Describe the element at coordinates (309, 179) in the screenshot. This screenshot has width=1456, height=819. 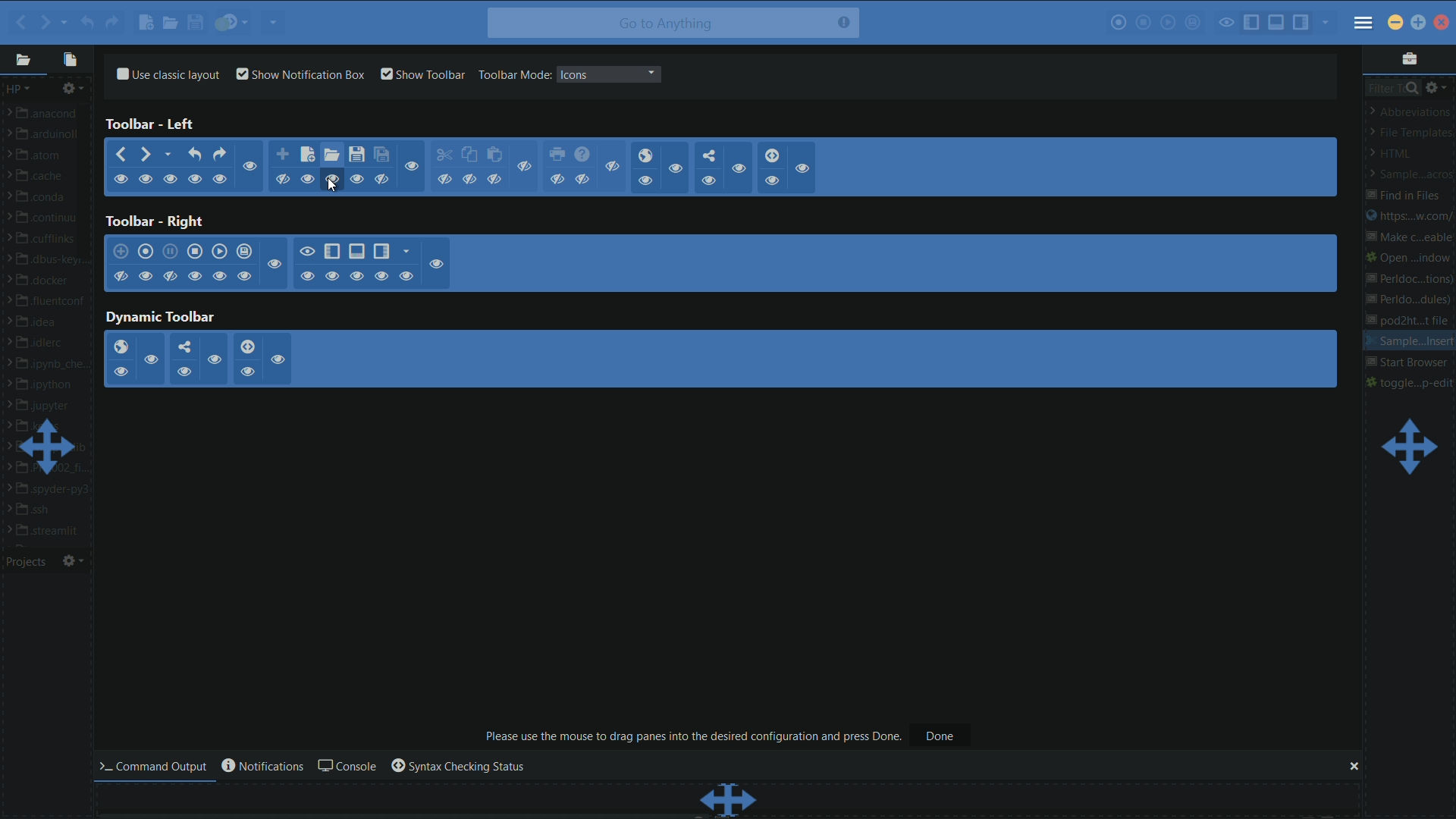
I see `show/hide` at that location.